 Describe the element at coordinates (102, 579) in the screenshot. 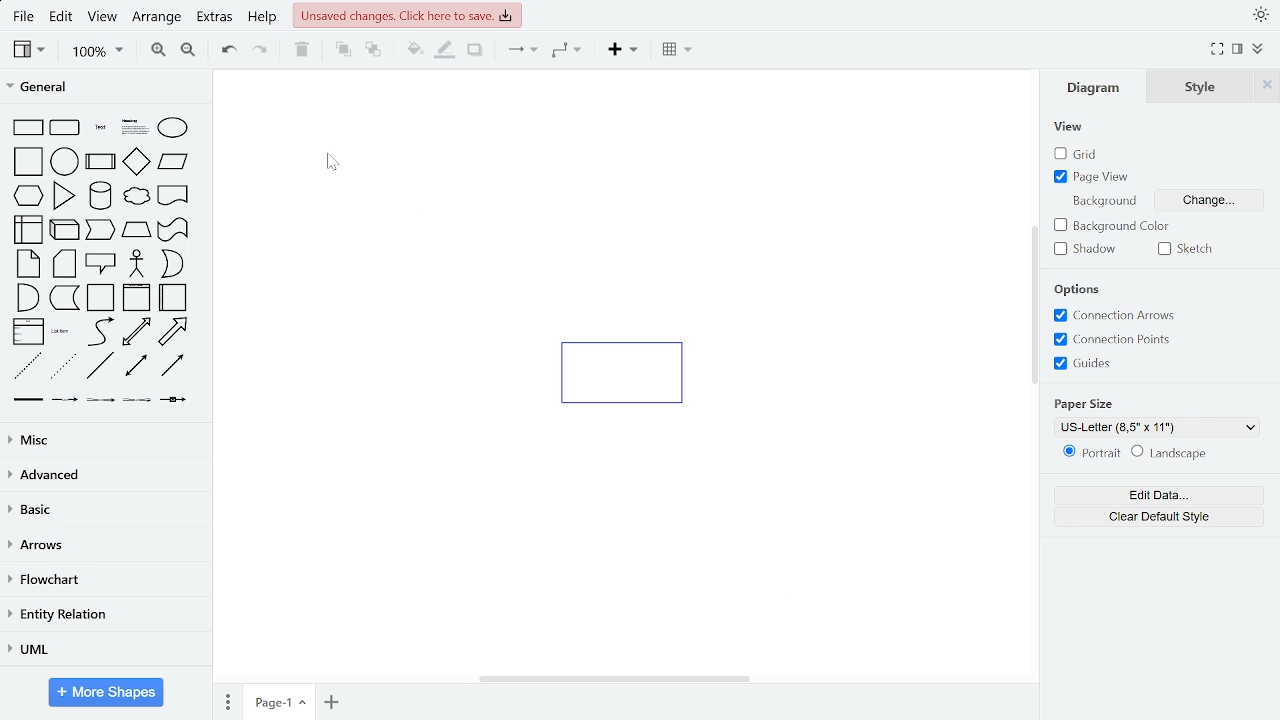

I see `flowchart` at that location.